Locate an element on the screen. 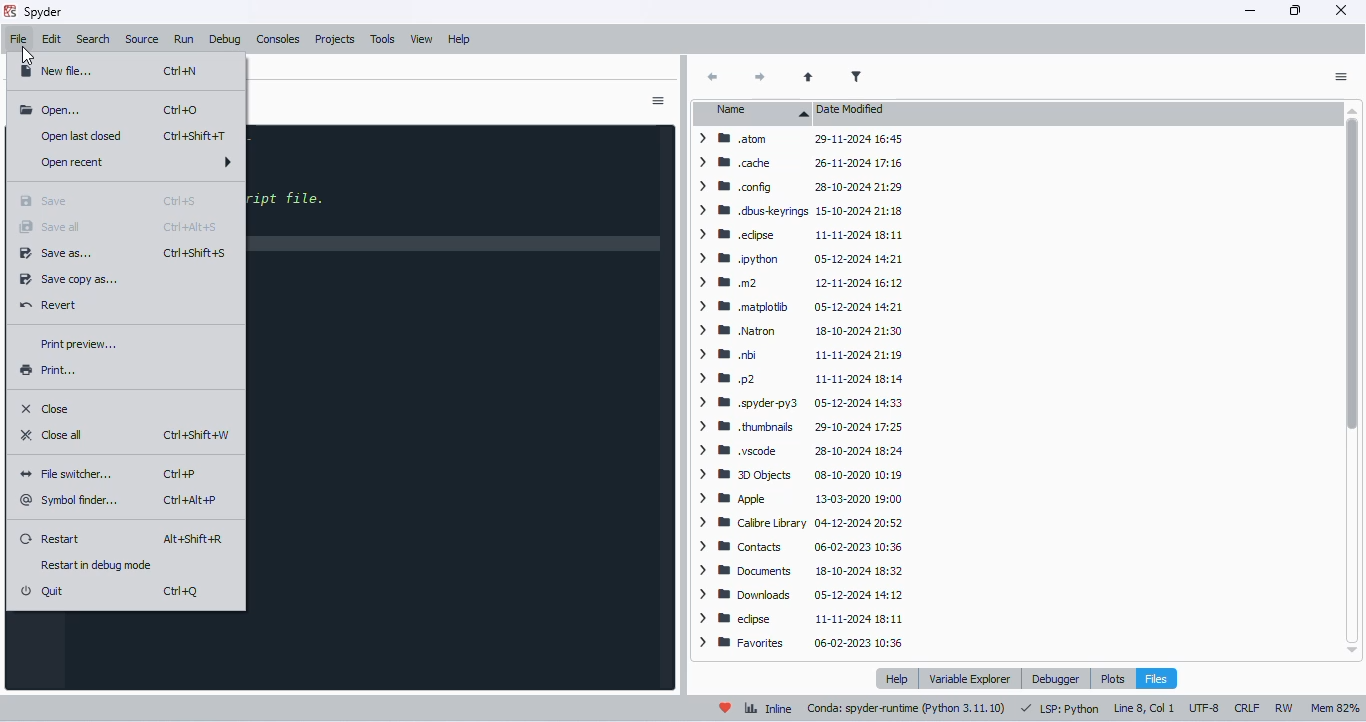 Image resolution: width=1366 pixels, height=722 pixels. plots is located at coordinates (1112, 678).